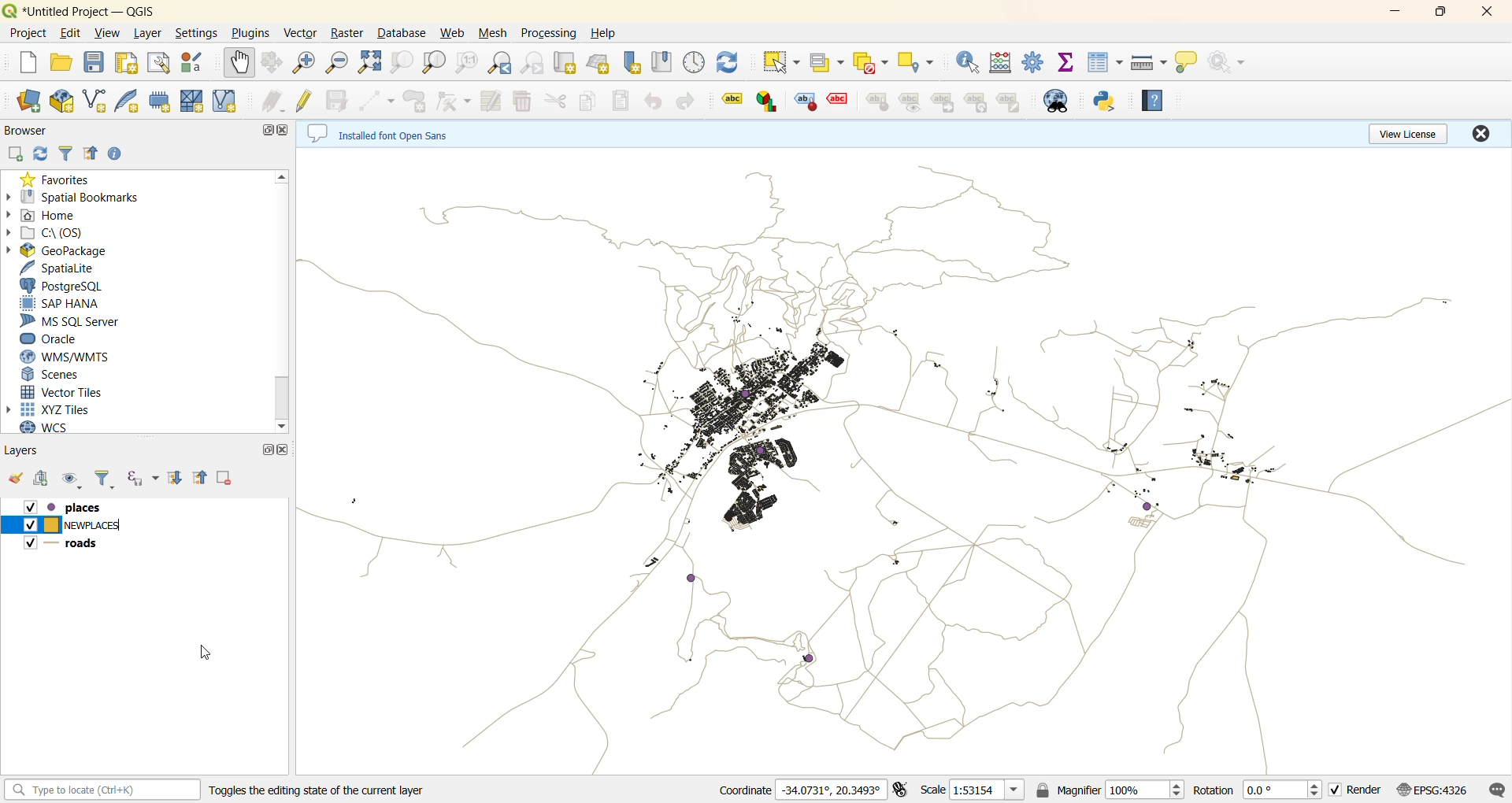  What do you see at coordinates (404, 34) in the screenshot?
I see `database` at bounding box center [404, 34].